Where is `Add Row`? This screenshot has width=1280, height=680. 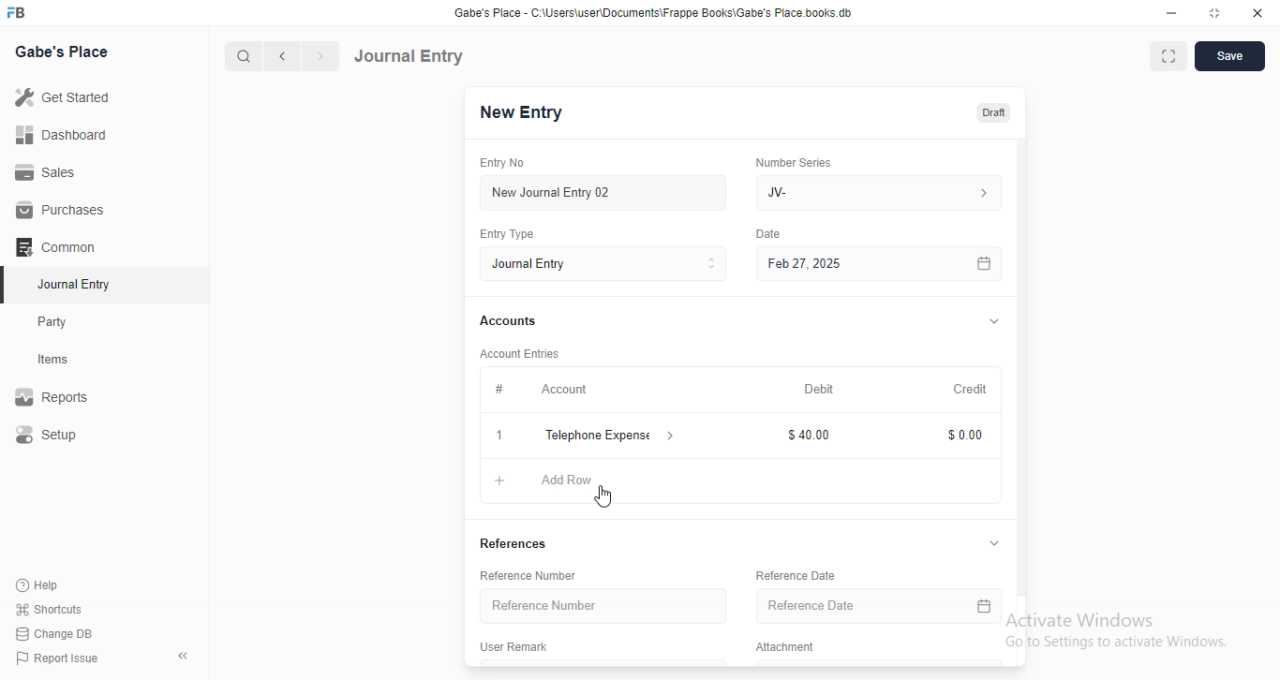 Add Row is located at coordinates (579, 479).